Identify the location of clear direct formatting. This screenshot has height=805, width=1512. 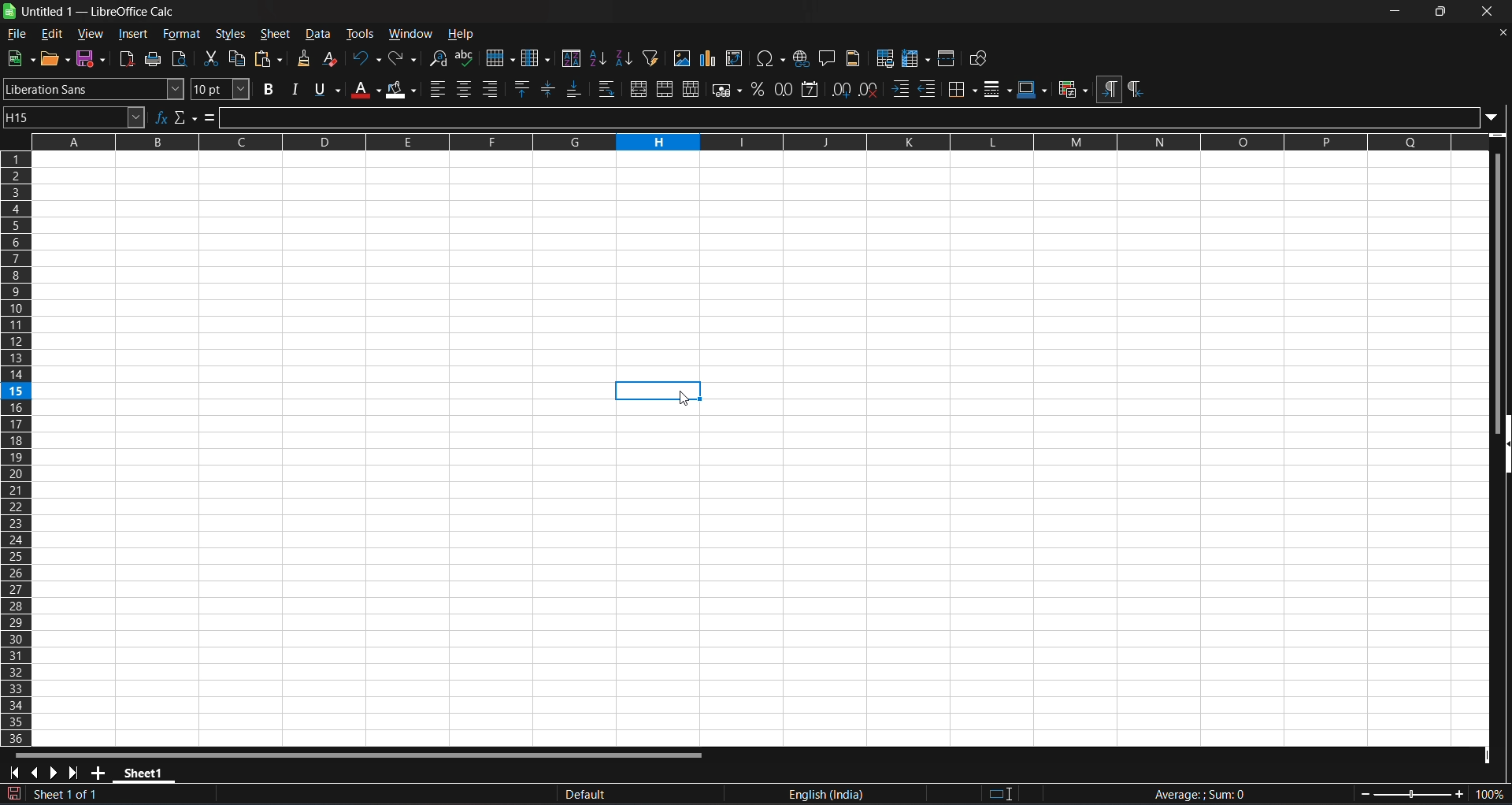
(332, 59).